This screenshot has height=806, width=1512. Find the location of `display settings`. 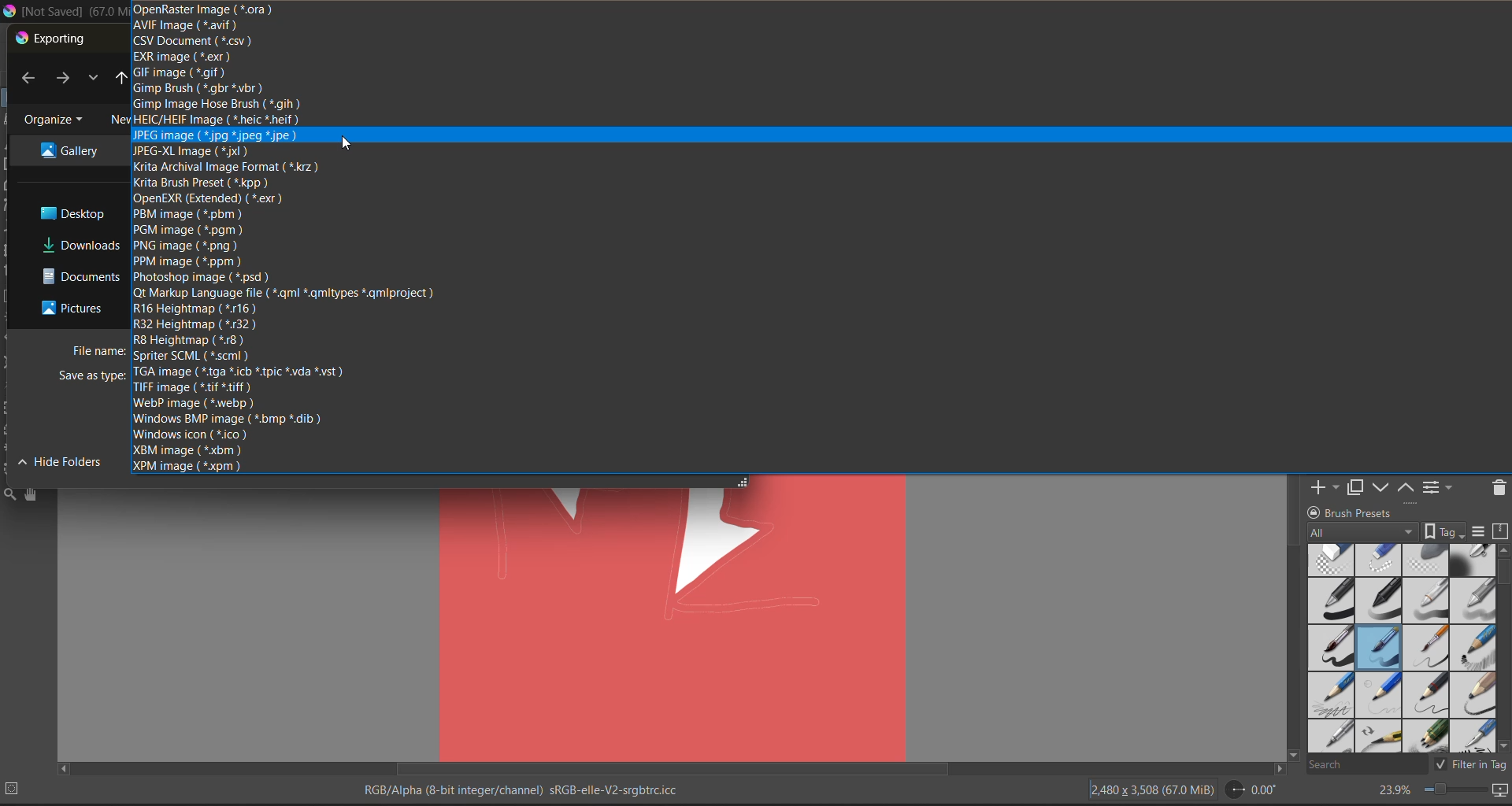

display settings is located at coordinates (1481, 532).